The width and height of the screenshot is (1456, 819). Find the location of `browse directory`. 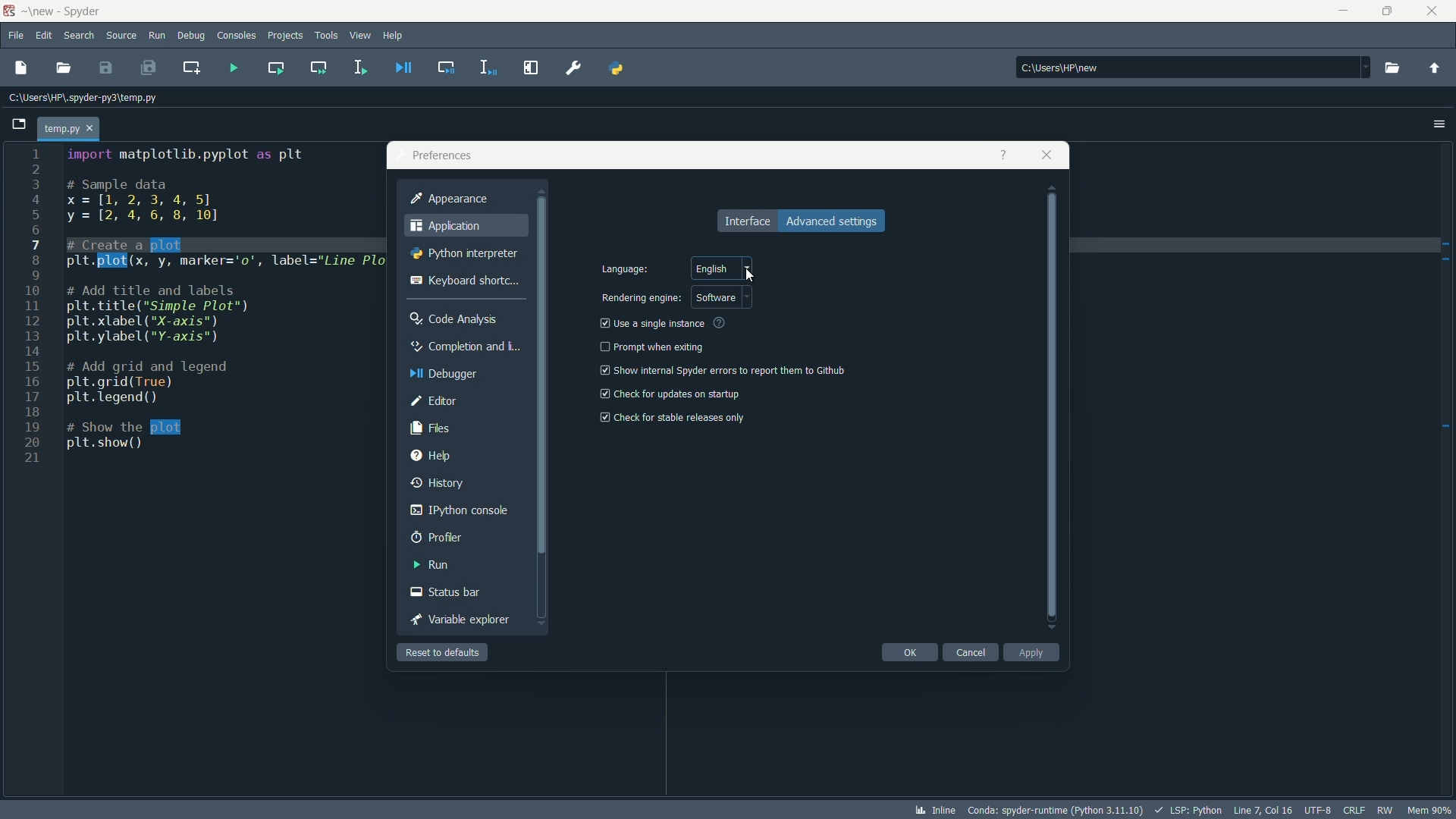

browse directory is located at coordinates (1392, 67).